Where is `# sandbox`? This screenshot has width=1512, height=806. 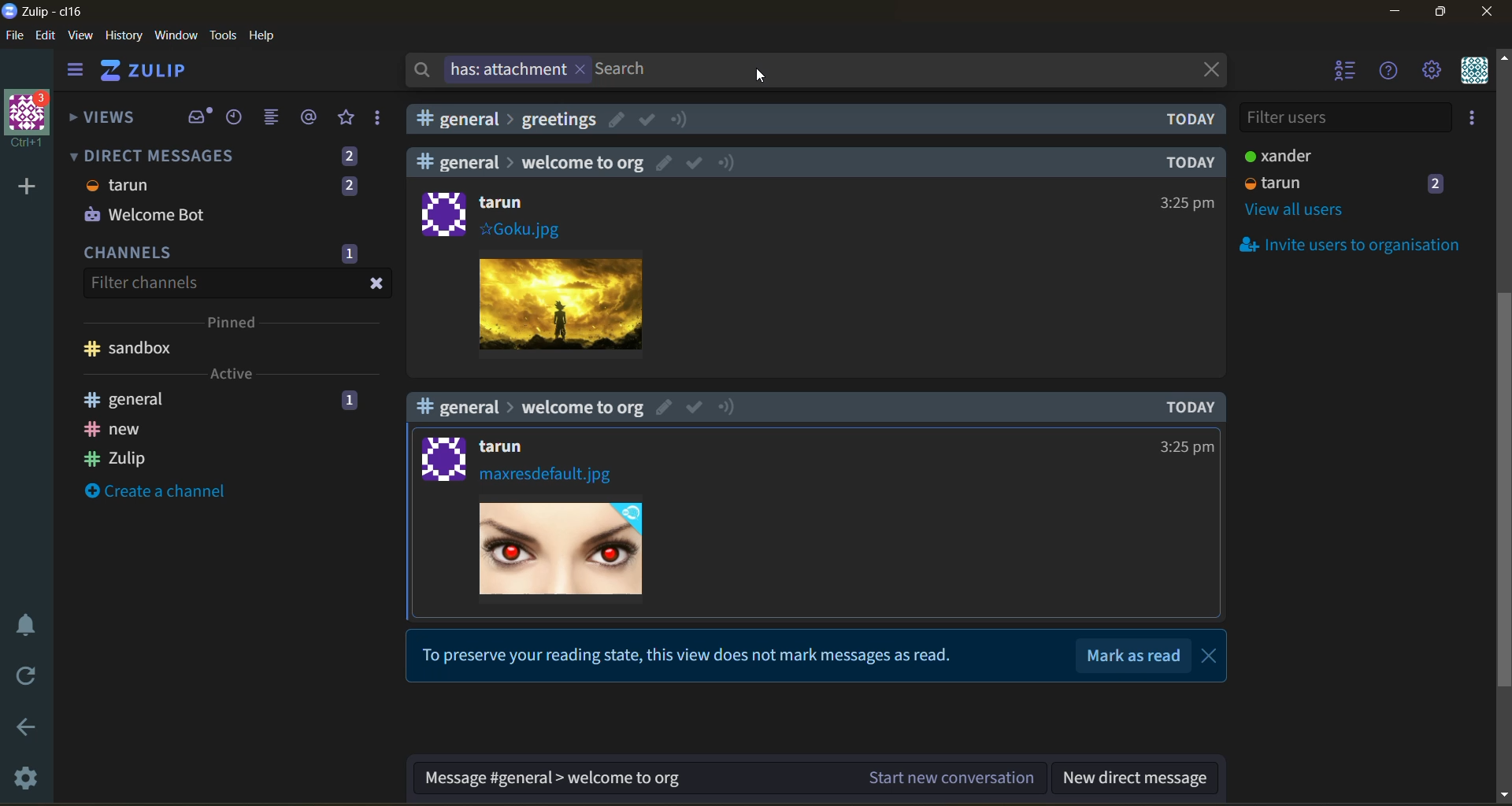 # sandbox is located at coordinates (131, 349).